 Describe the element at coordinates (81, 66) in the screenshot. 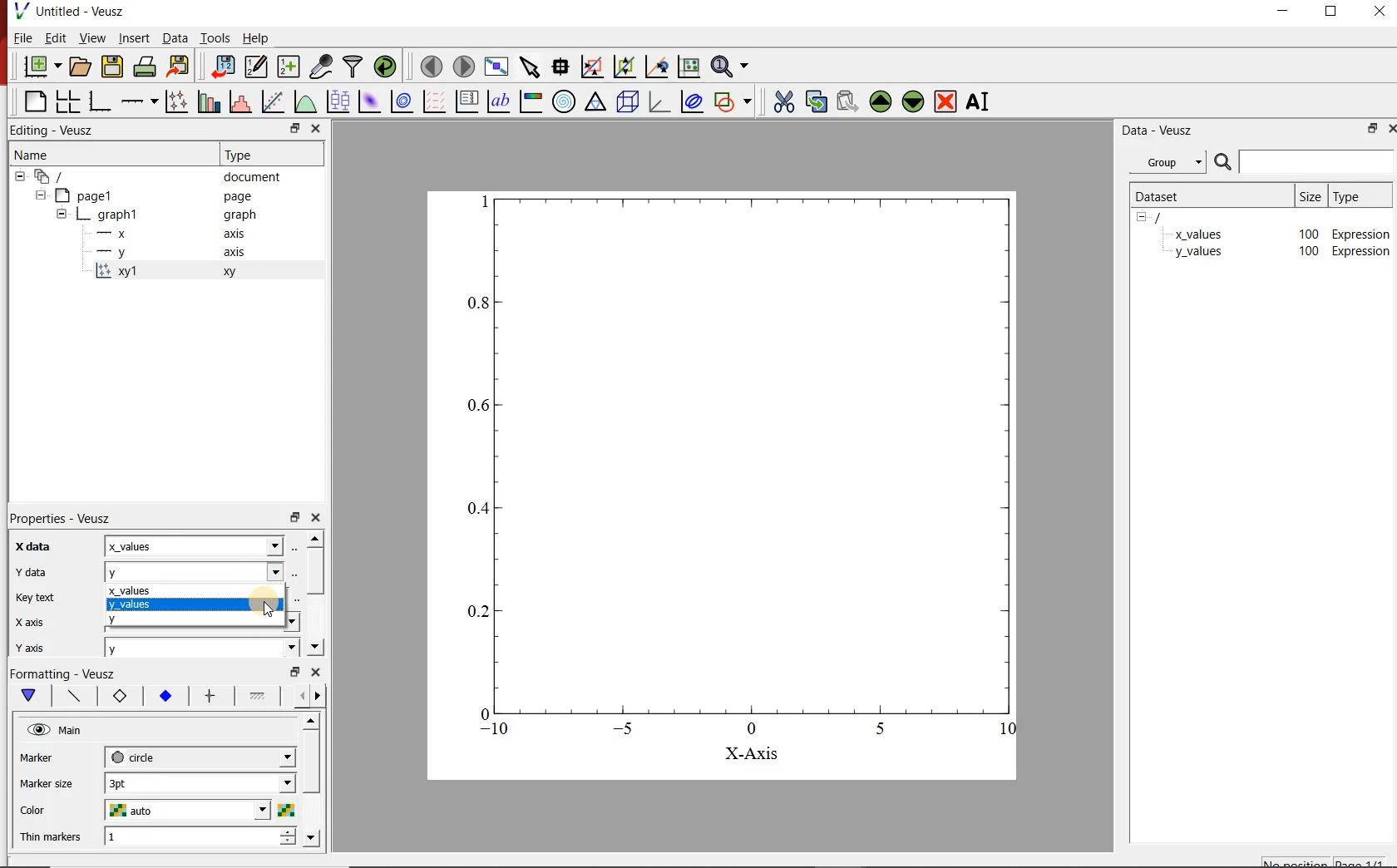

I see `open document` at that location.